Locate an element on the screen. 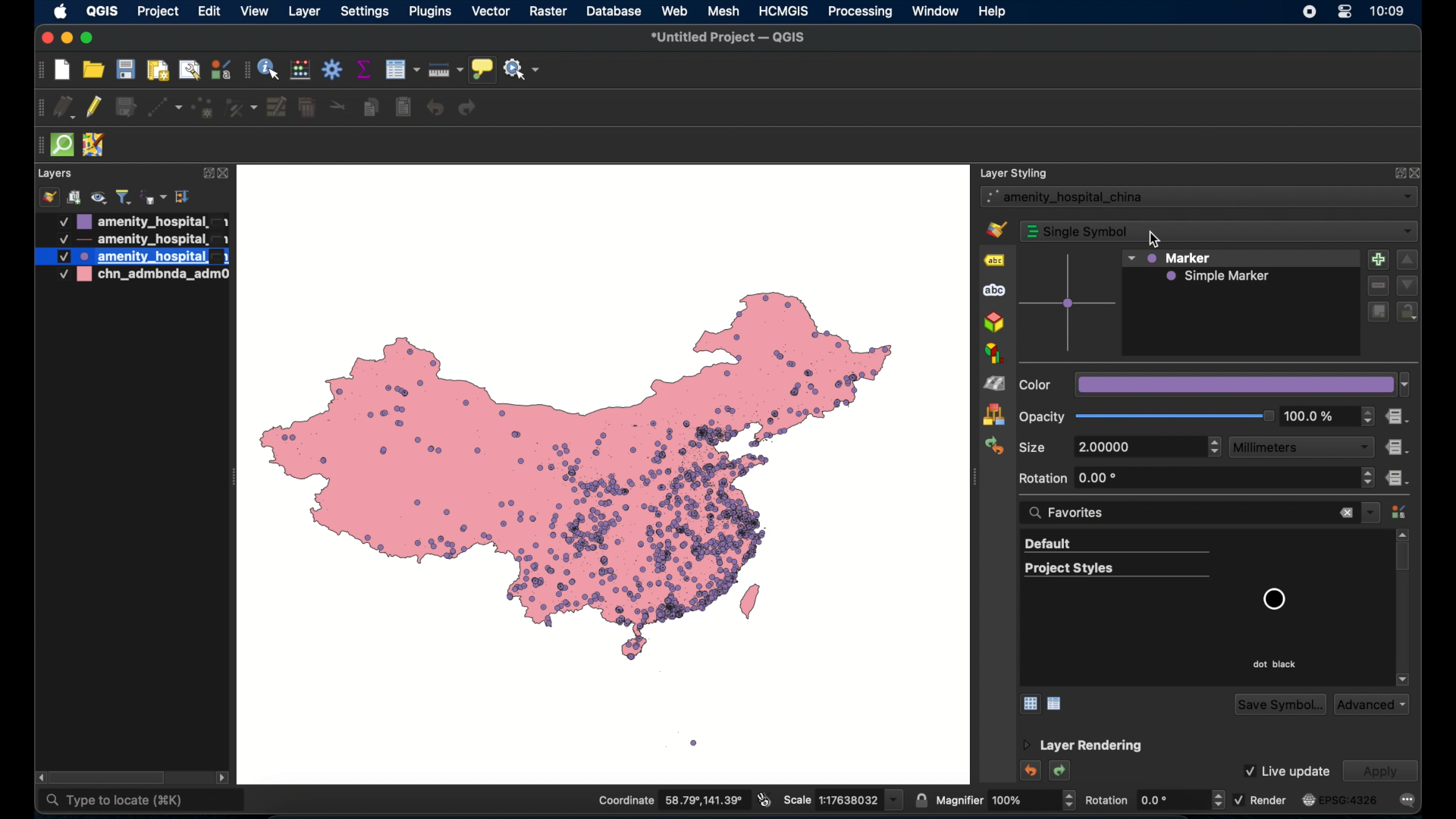 The width and height of the screenshot is (1456, 819). database is located at coordinates (614, 11).